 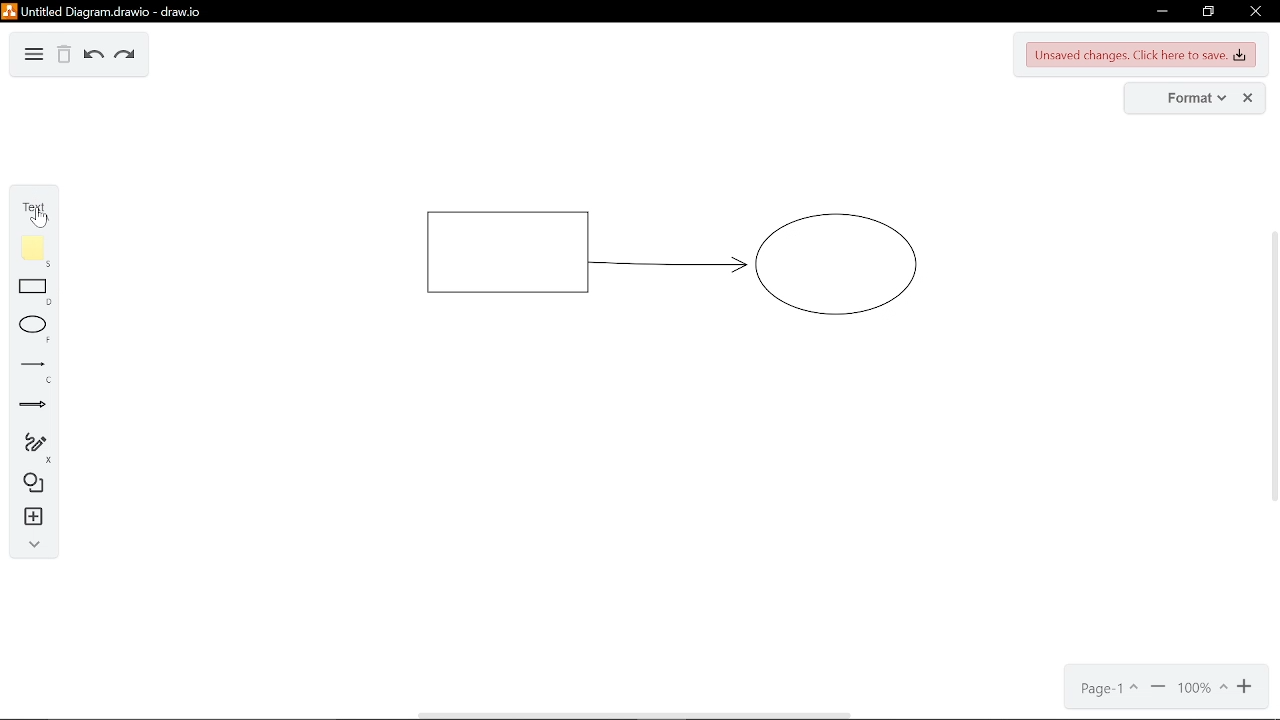 I want to click on insert, so click(x=36, y=517).